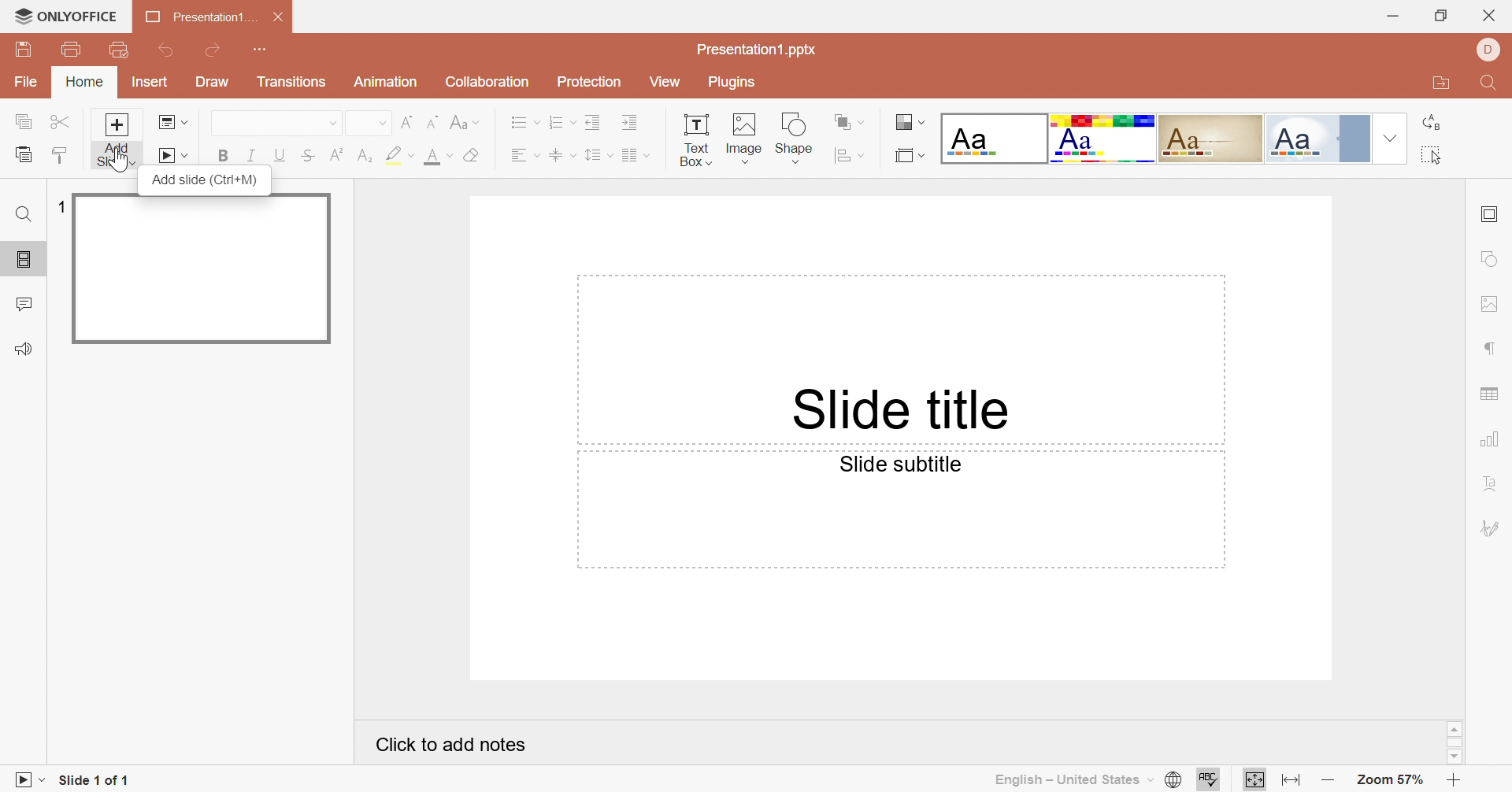 The height and width of the screenshot is (792, 1512). What do you see at coordinates (897, 410) in the screenshot?
I see `Slide title` at bounding box center [897, 410].